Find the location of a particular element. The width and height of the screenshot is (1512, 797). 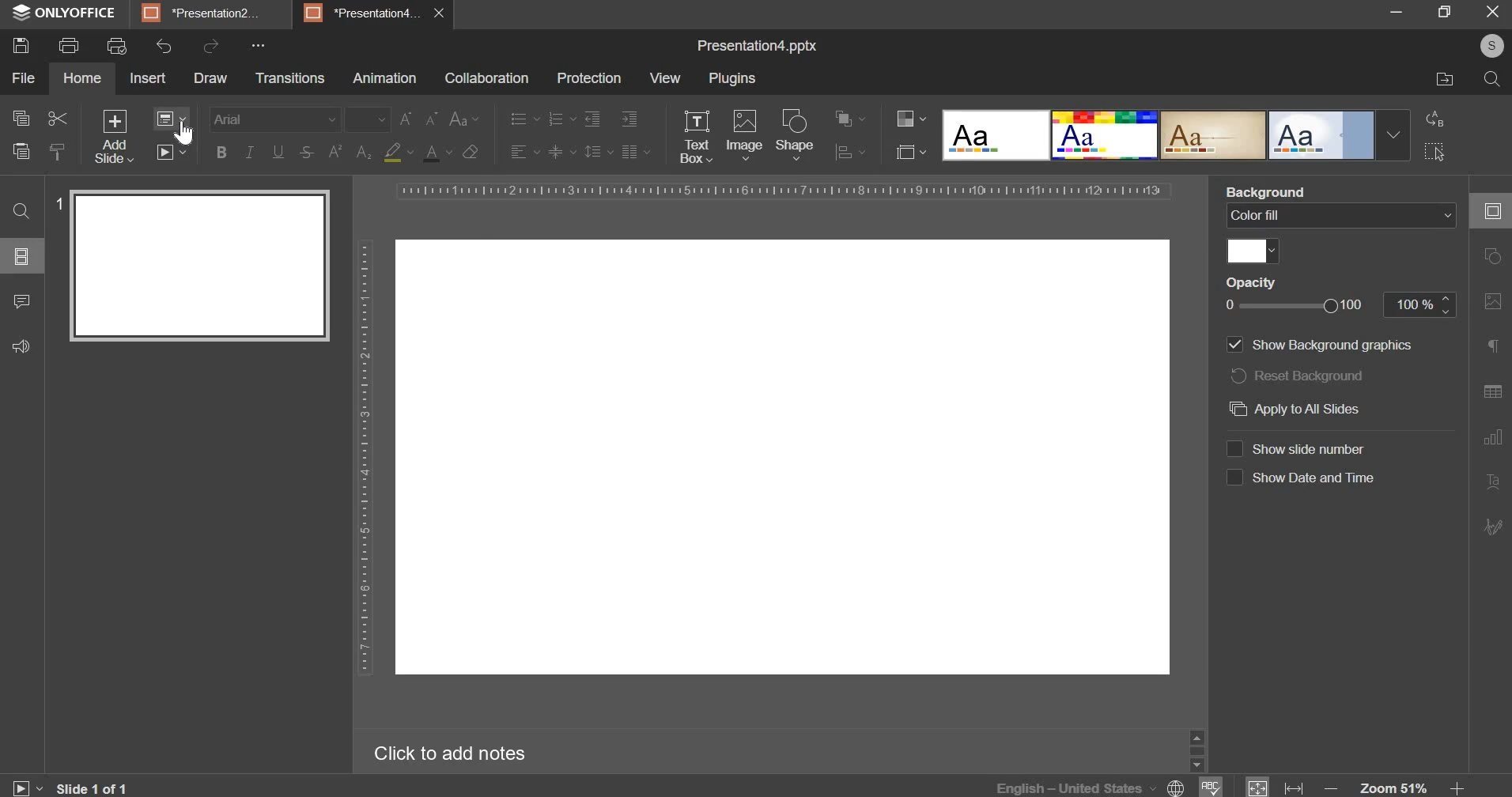

spell check is located at coordinates (1212, 787).